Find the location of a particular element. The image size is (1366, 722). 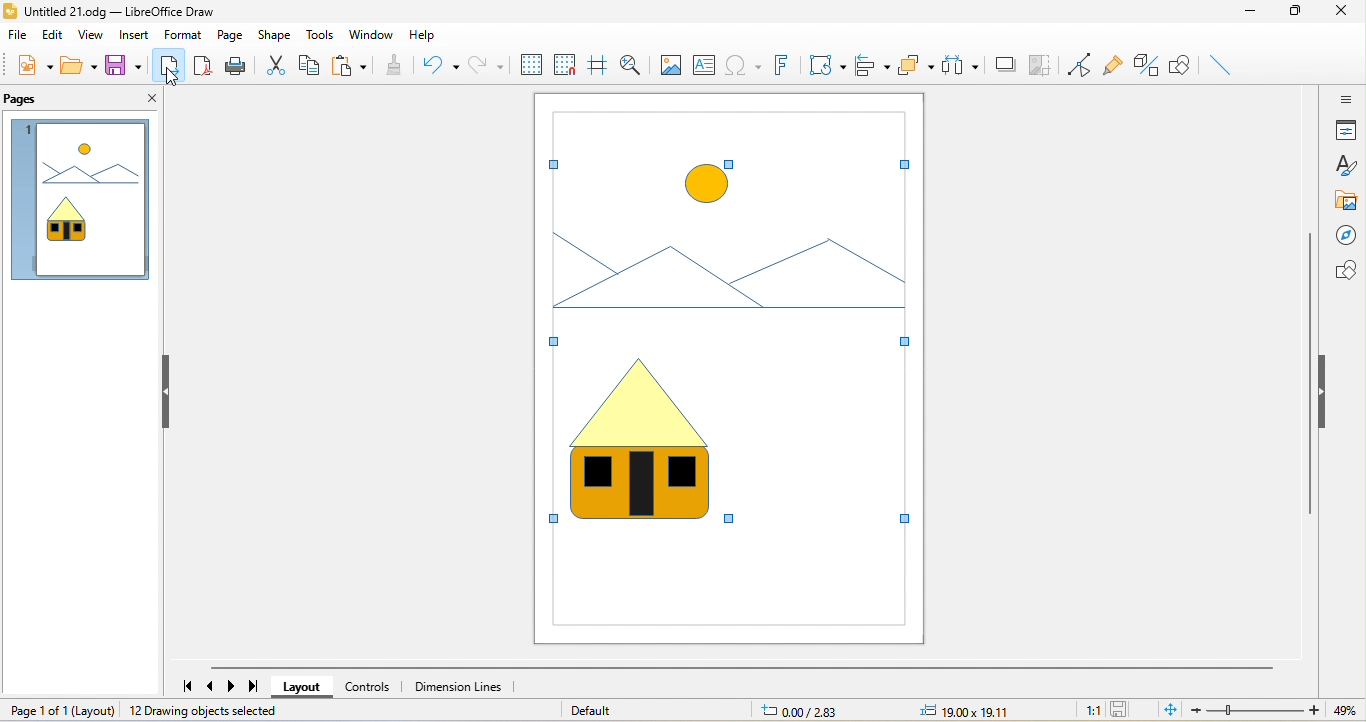

vertical slider is located at coordinates (1310, 373).